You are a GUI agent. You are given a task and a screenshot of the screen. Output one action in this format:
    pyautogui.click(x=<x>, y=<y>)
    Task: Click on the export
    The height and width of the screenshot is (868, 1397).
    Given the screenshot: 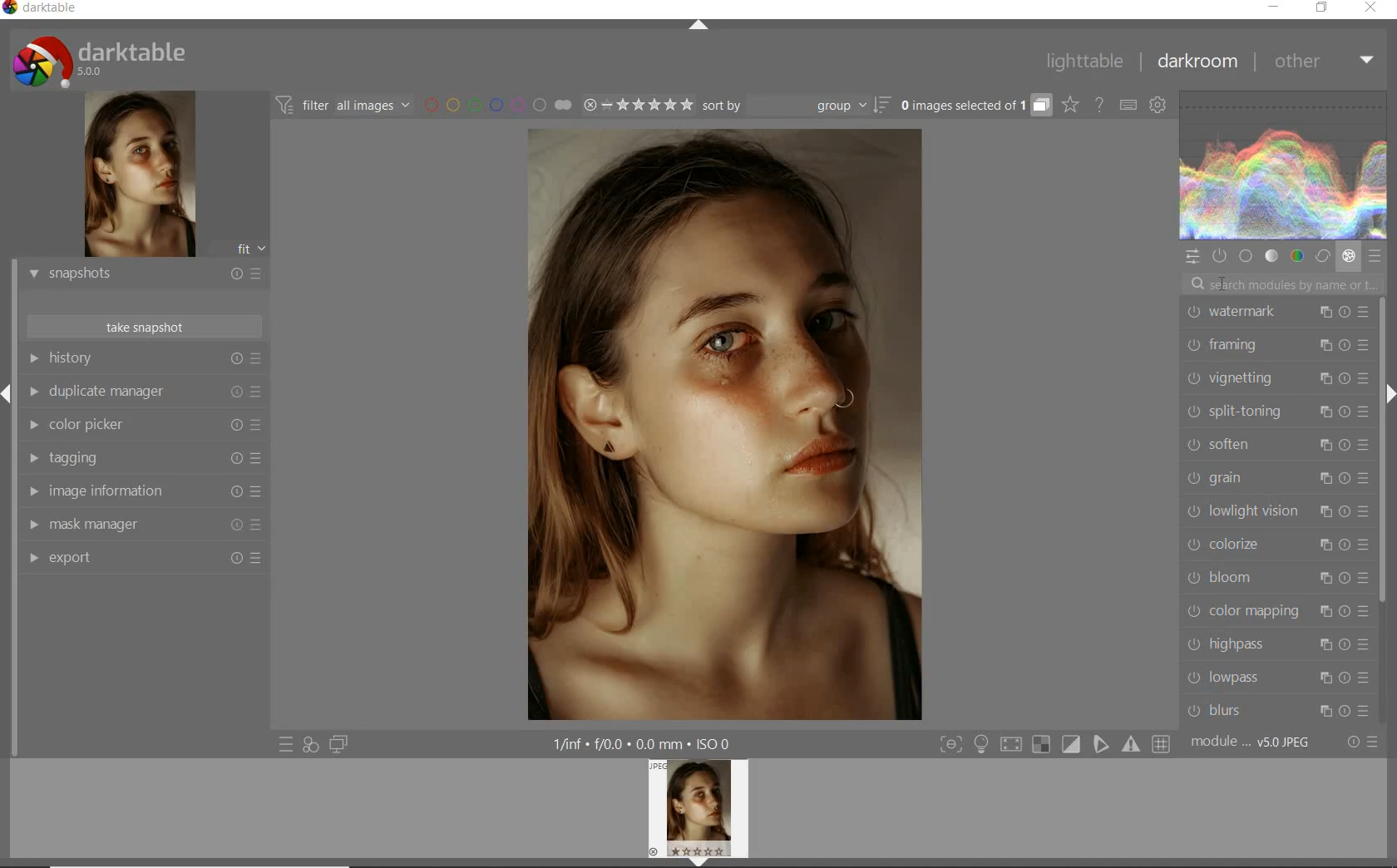 What is the action you would take?
    pyautogui.click(x=142, y=561)
    